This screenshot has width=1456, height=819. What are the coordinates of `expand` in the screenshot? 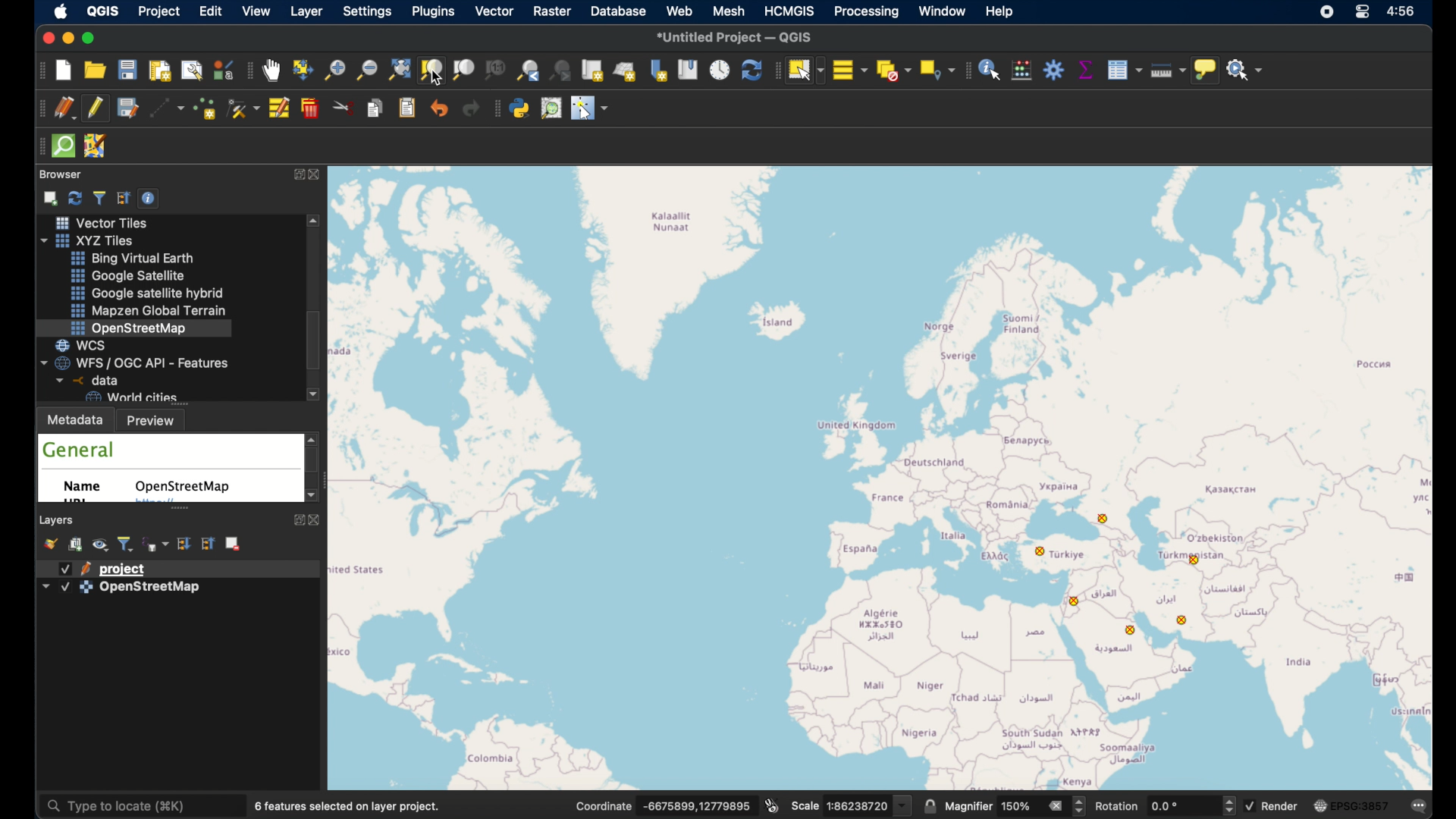 It's located at (295, 174).